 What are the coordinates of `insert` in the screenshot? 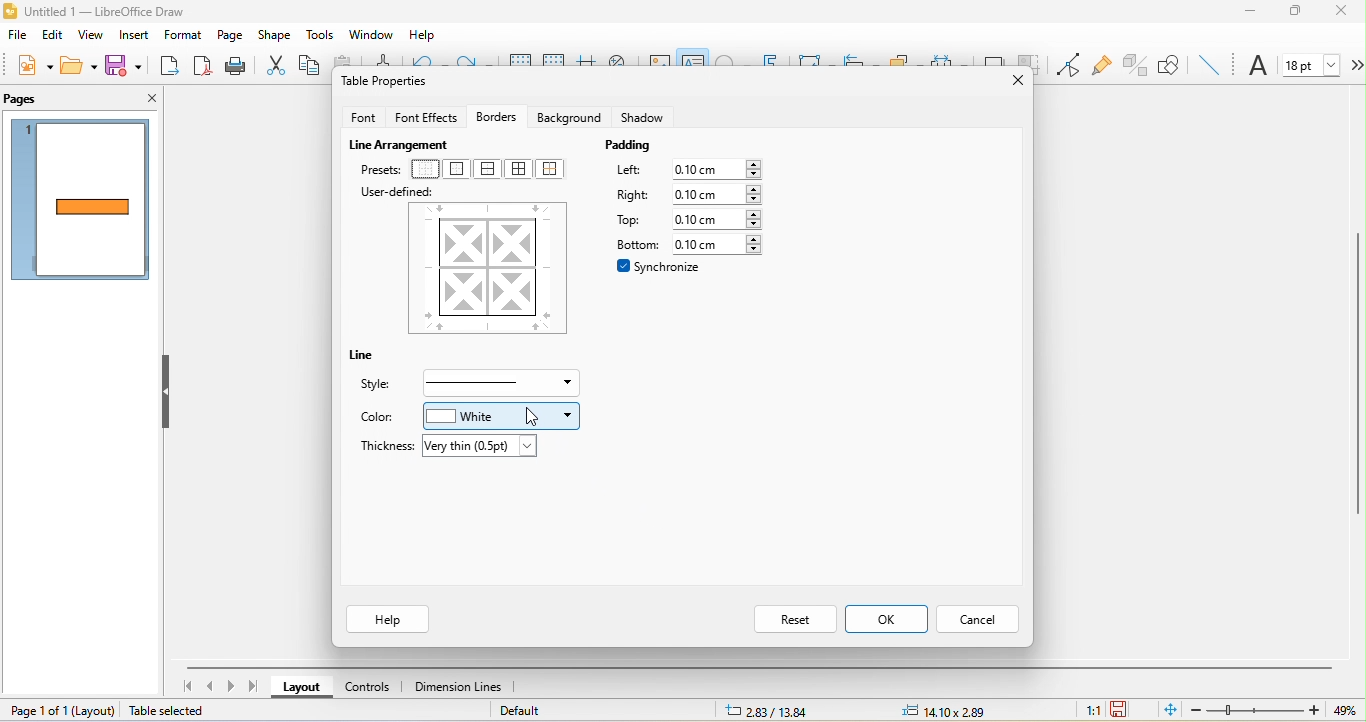 It's located at (133, 37).